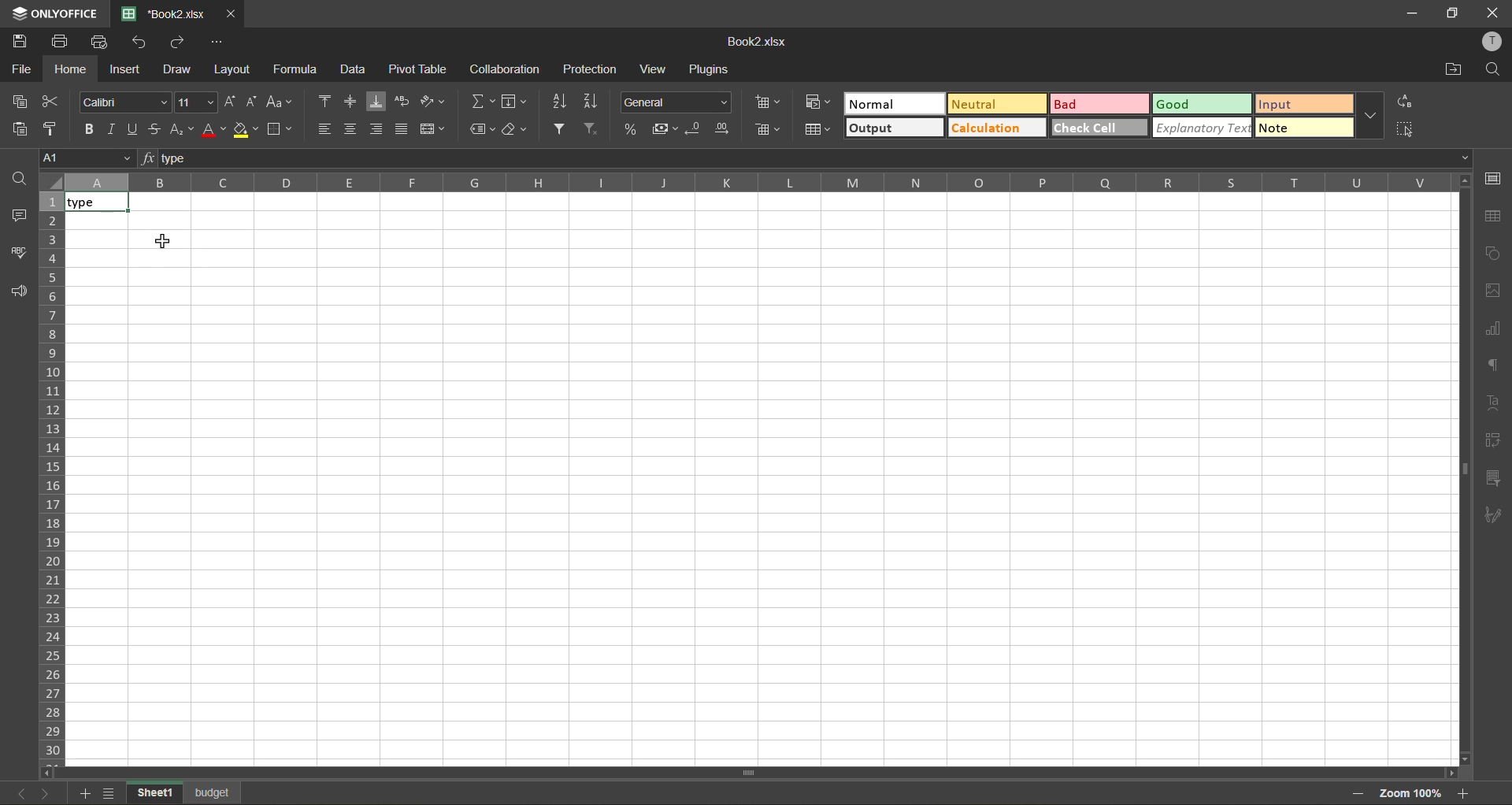 The height and width of the screenshot is (805, 1512). What do you see at coordinates (1202, 128) in the screenshot?
I see `explanatory text` at bounding box center [1202, 128].